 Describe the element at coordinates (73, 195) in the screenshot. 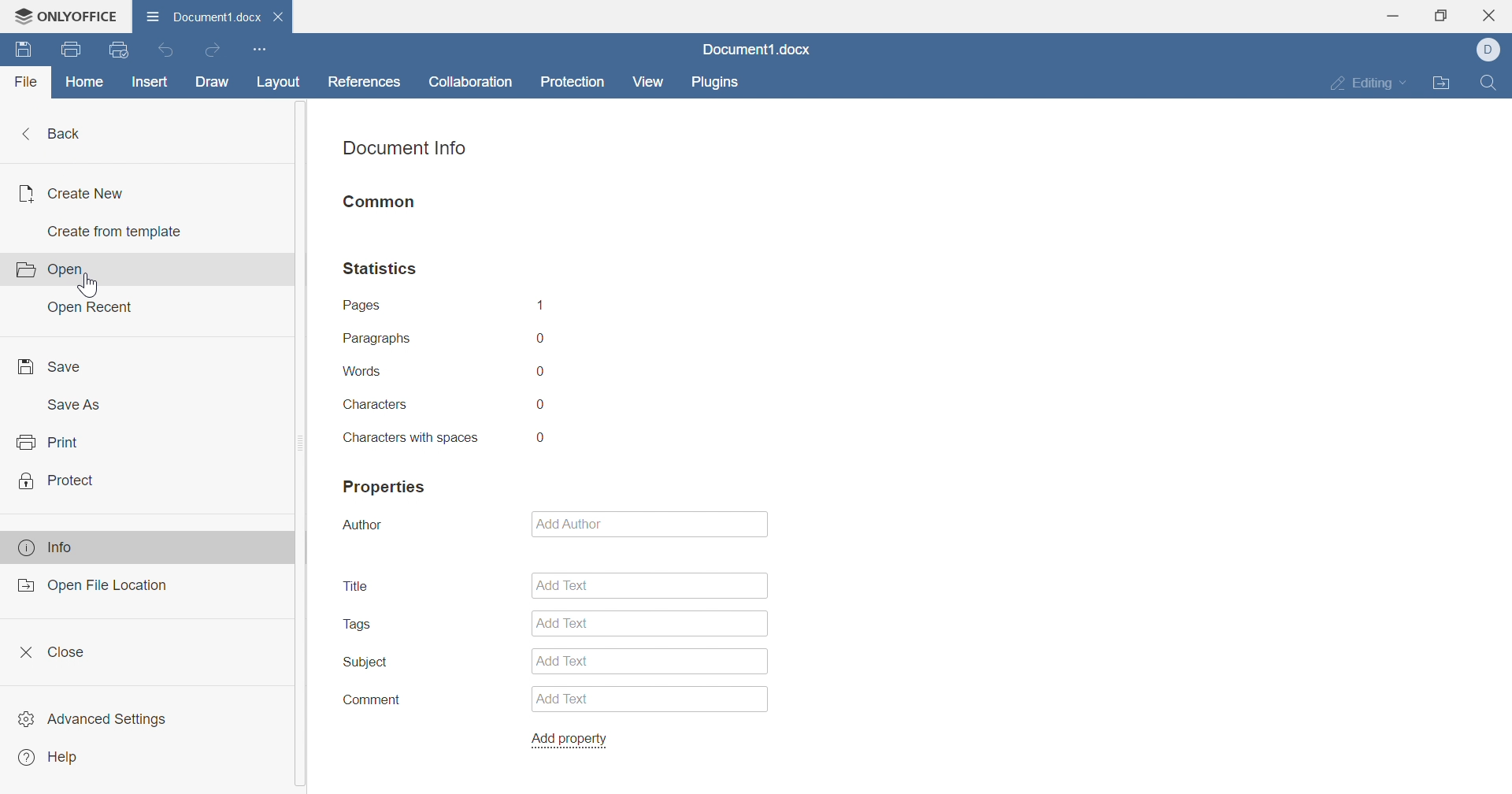

I see `create new` at that location.